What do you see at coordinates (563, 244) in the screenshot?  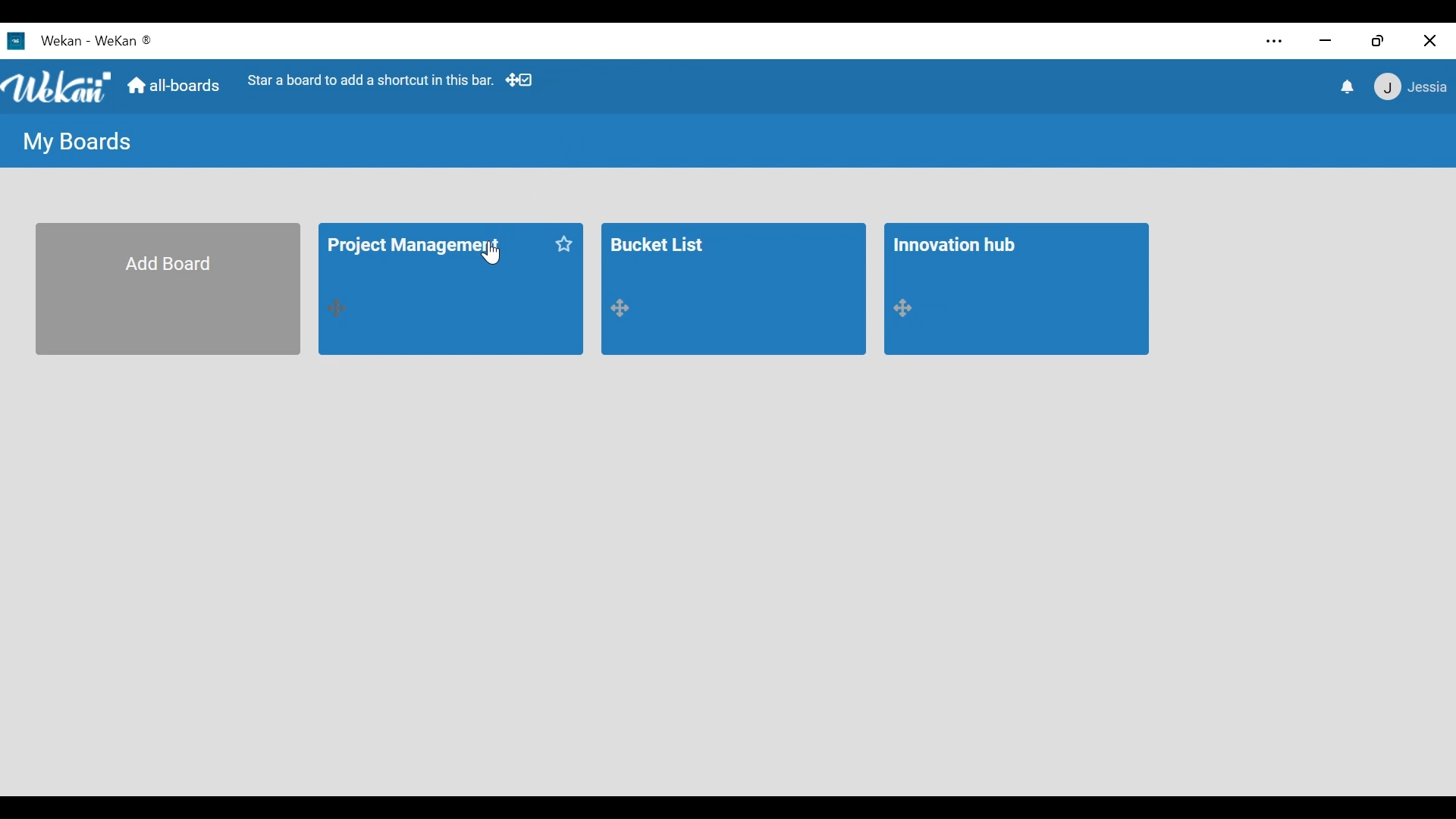 I see `Favorites` at bounding box center [563, 244].